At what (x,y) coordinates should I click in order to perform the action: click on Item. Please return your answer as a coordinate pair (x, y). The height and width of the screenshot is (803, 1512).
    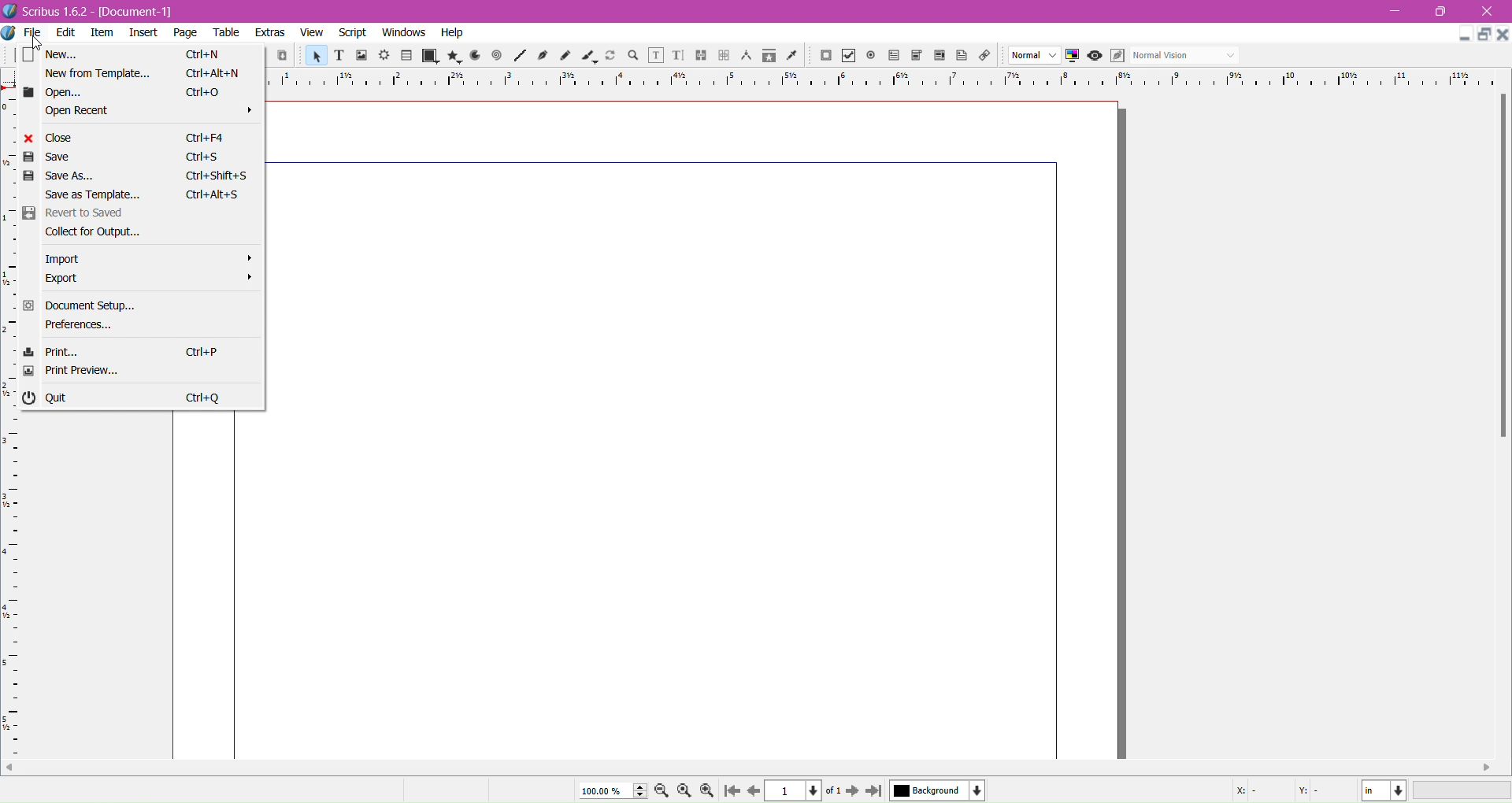
    Looking at the image, I should click on (104, 32).